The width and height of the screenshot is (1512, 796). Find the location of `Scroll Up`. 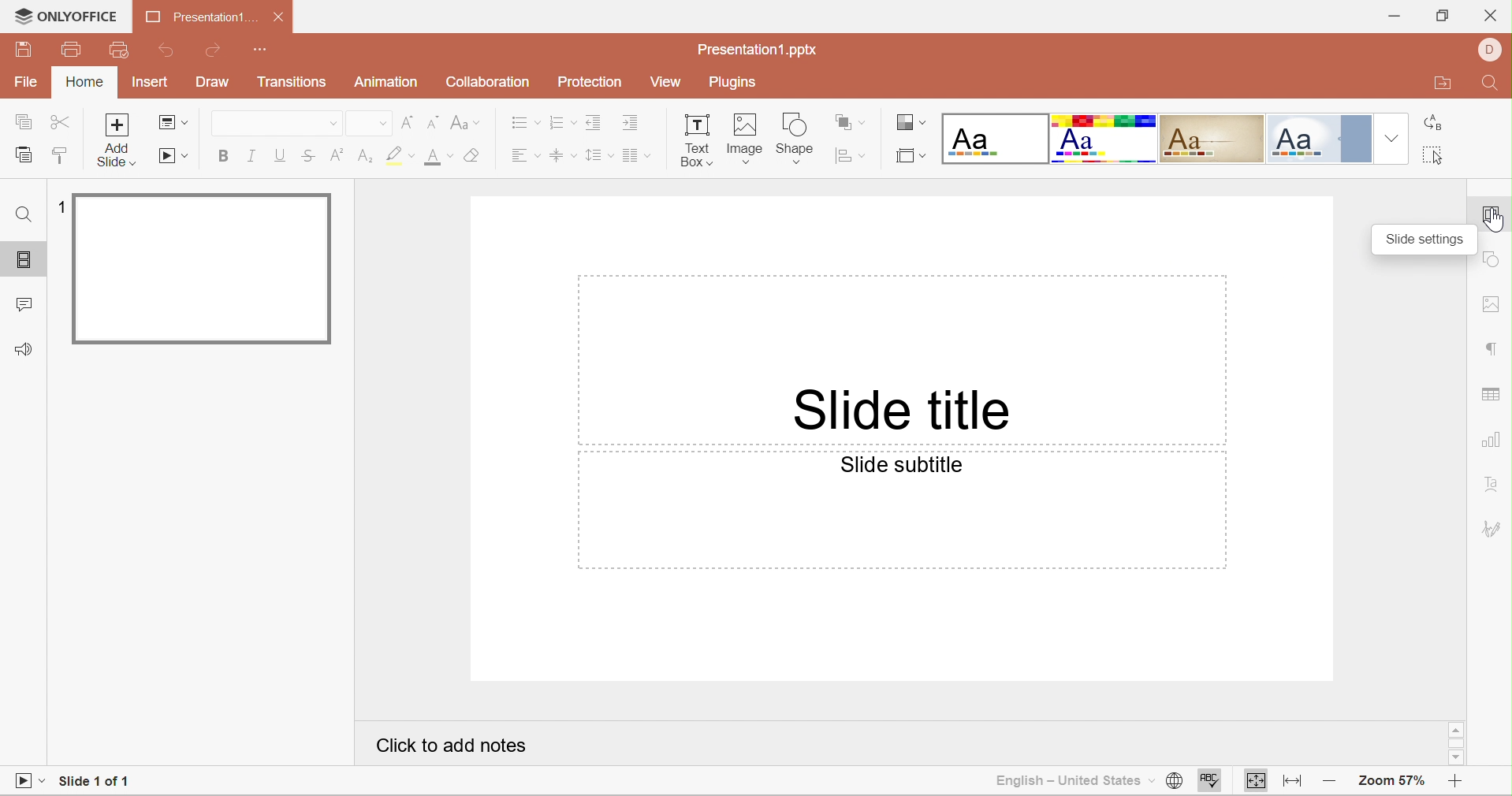

Scroll Up is located at coordinates (1458, 728).